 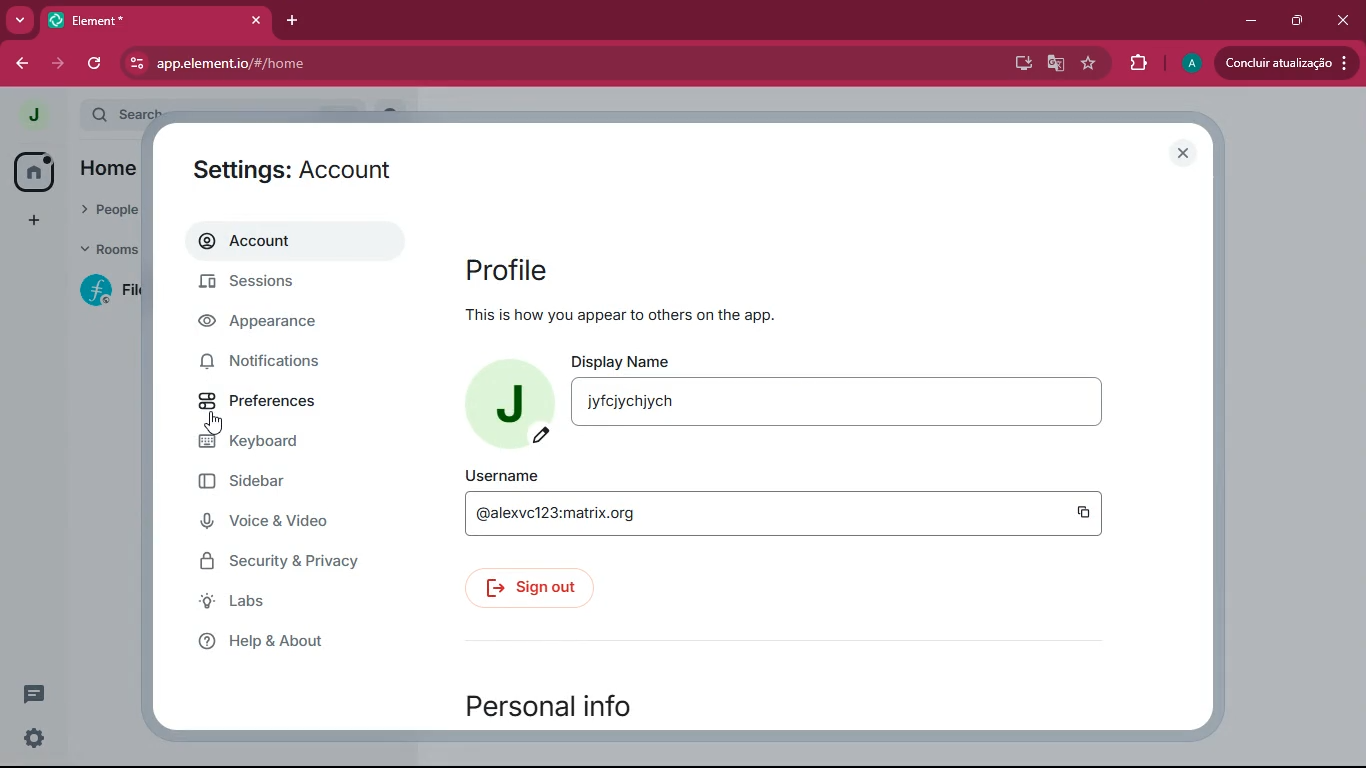 I want to click on security & privacy, so click(x=287, y=562).